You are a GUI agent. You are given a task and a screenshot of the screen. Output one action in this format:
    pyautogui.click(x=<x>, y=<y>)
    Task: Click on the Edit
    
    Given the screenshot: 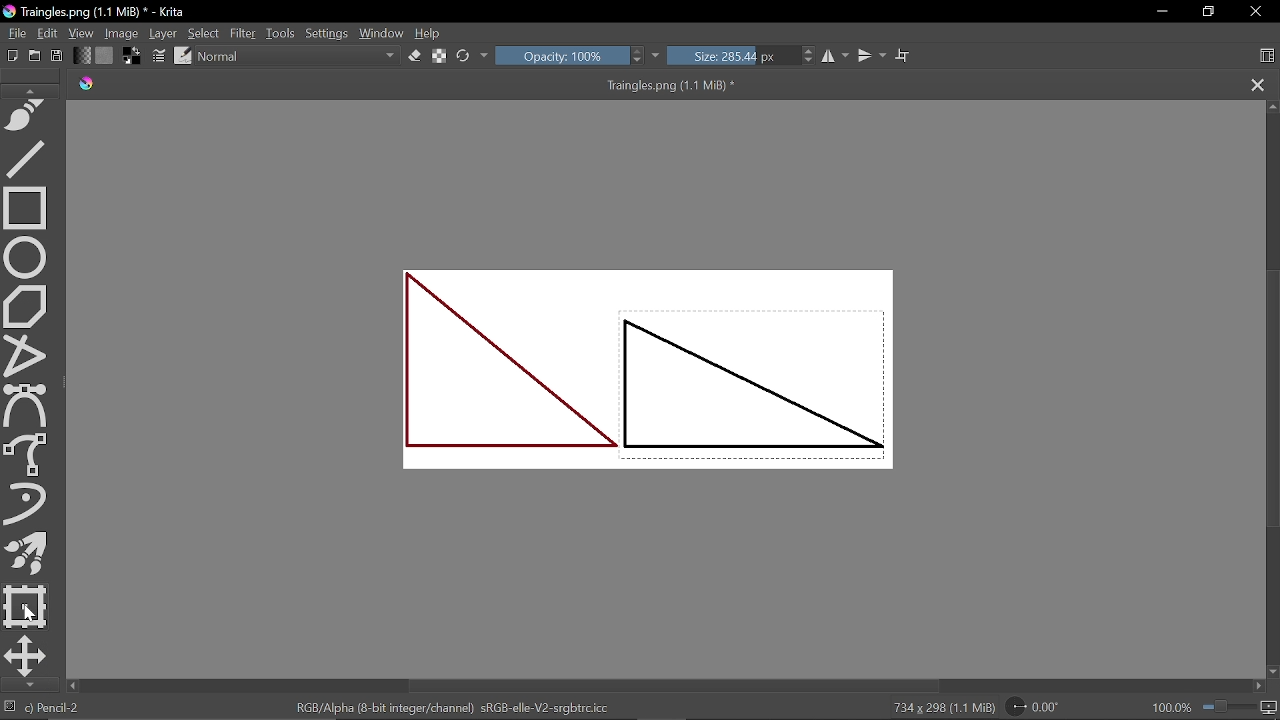 What is the action you would take?
    pyautogui.click(x=48, y=34)
    